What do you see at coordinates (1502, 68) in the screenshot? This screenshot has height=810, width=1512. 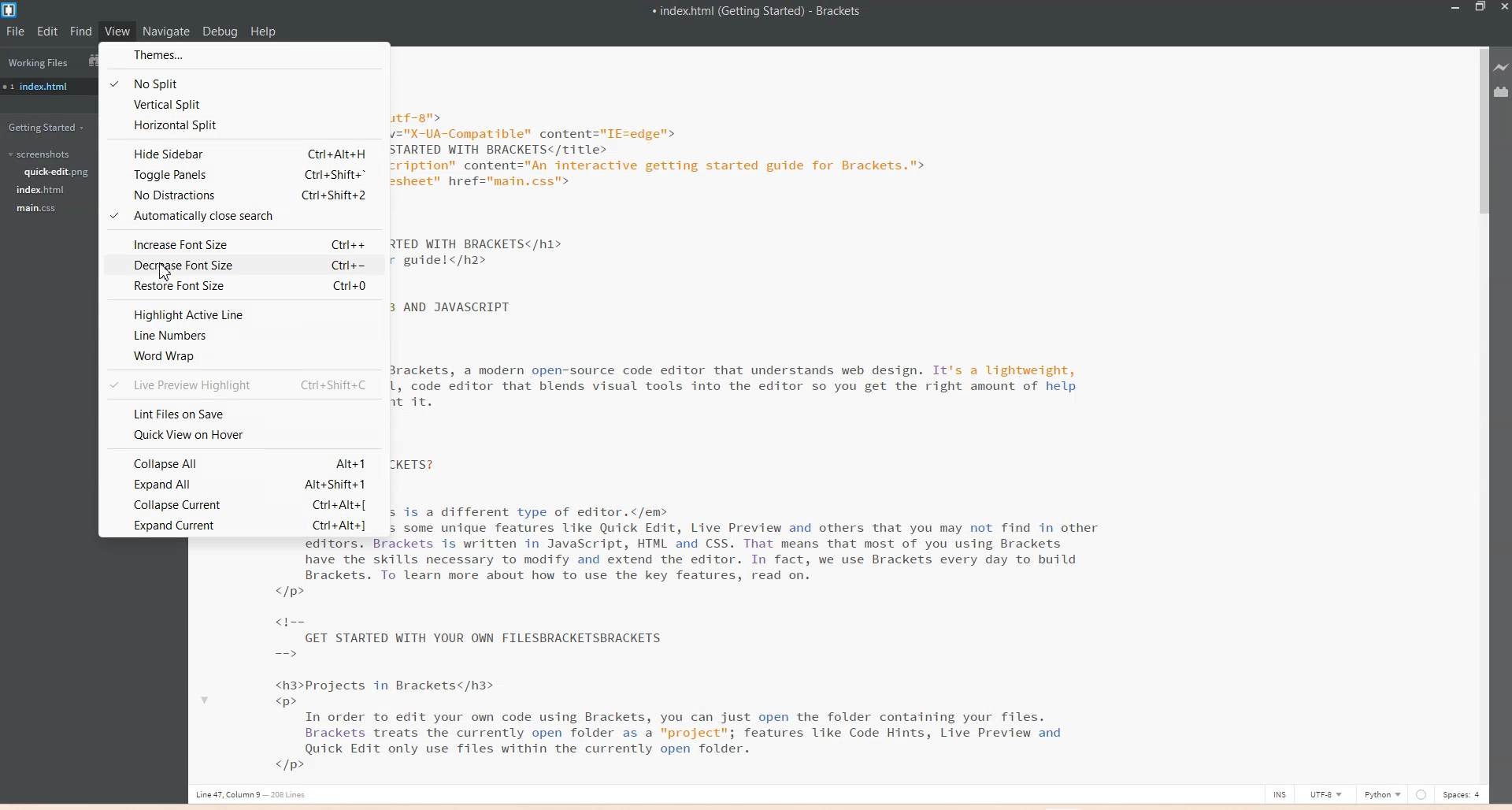 I see `Live Preview` at bounding box center [1502, 68].